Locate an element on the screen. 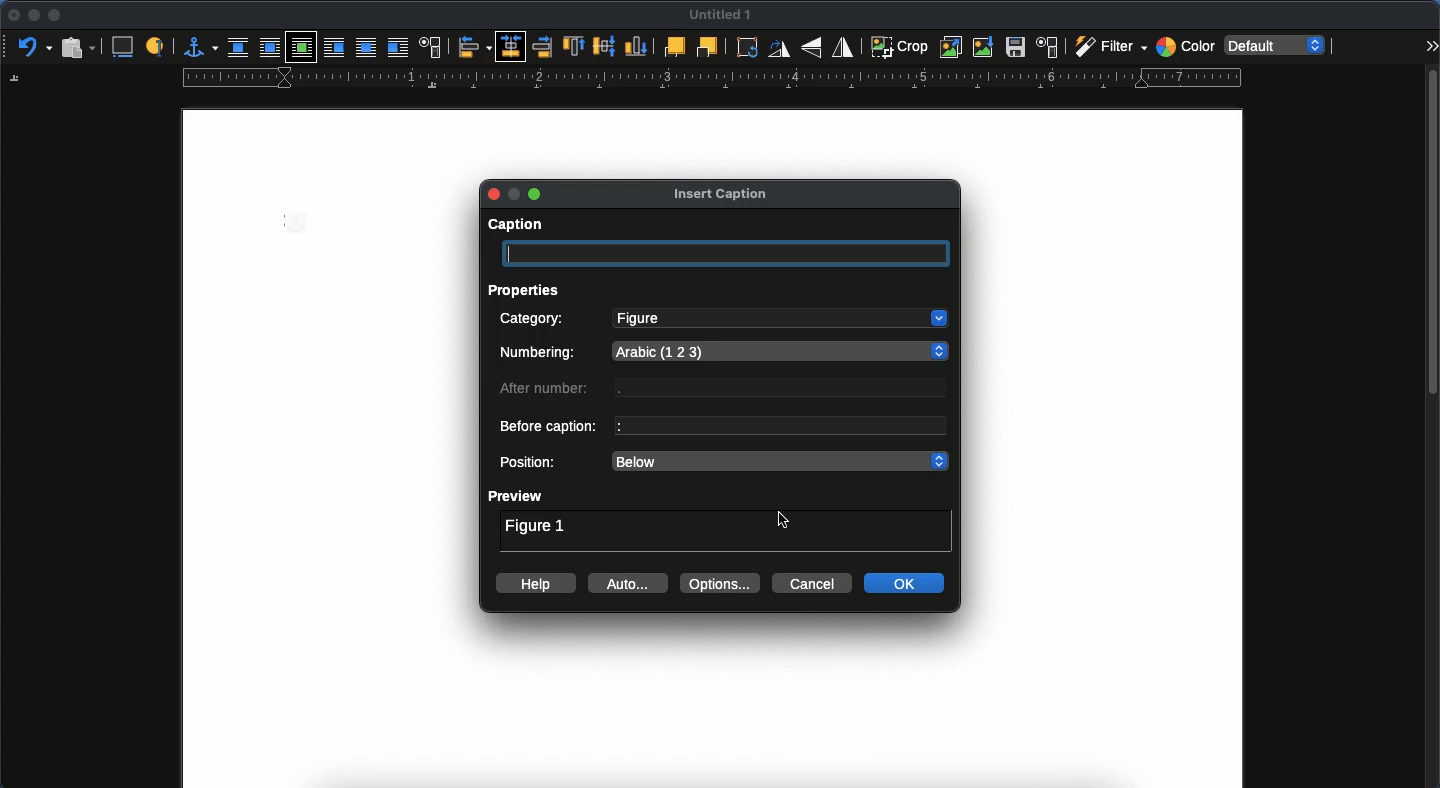 The height and width of the screenshot is (788, 1440). flip vertically is located at coordinates (812, 47).